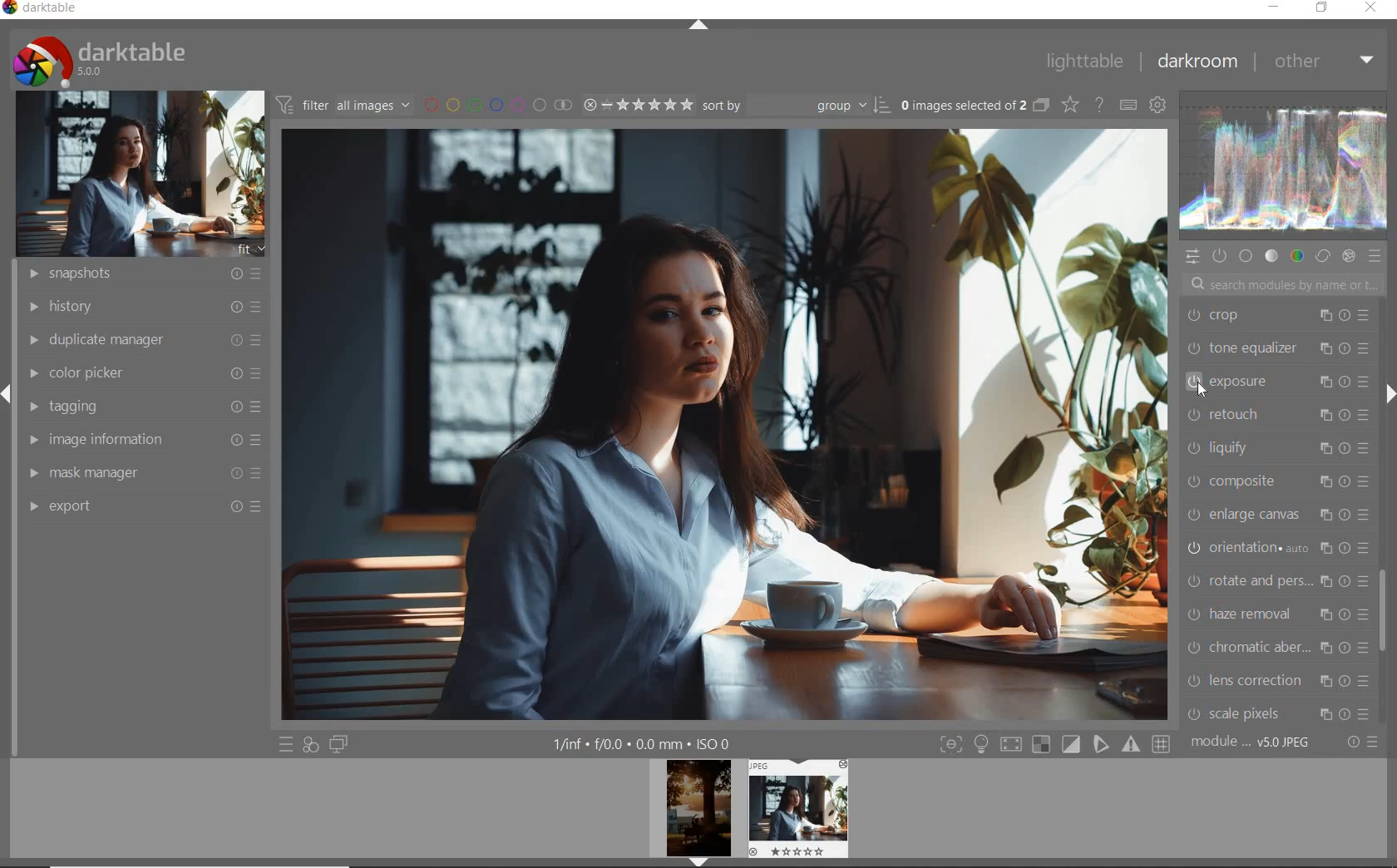 The width and height of the screenshot is (1397, 868). I want to click on CHANGE TYPE OF OVERRELAY, so click(1069, 104).